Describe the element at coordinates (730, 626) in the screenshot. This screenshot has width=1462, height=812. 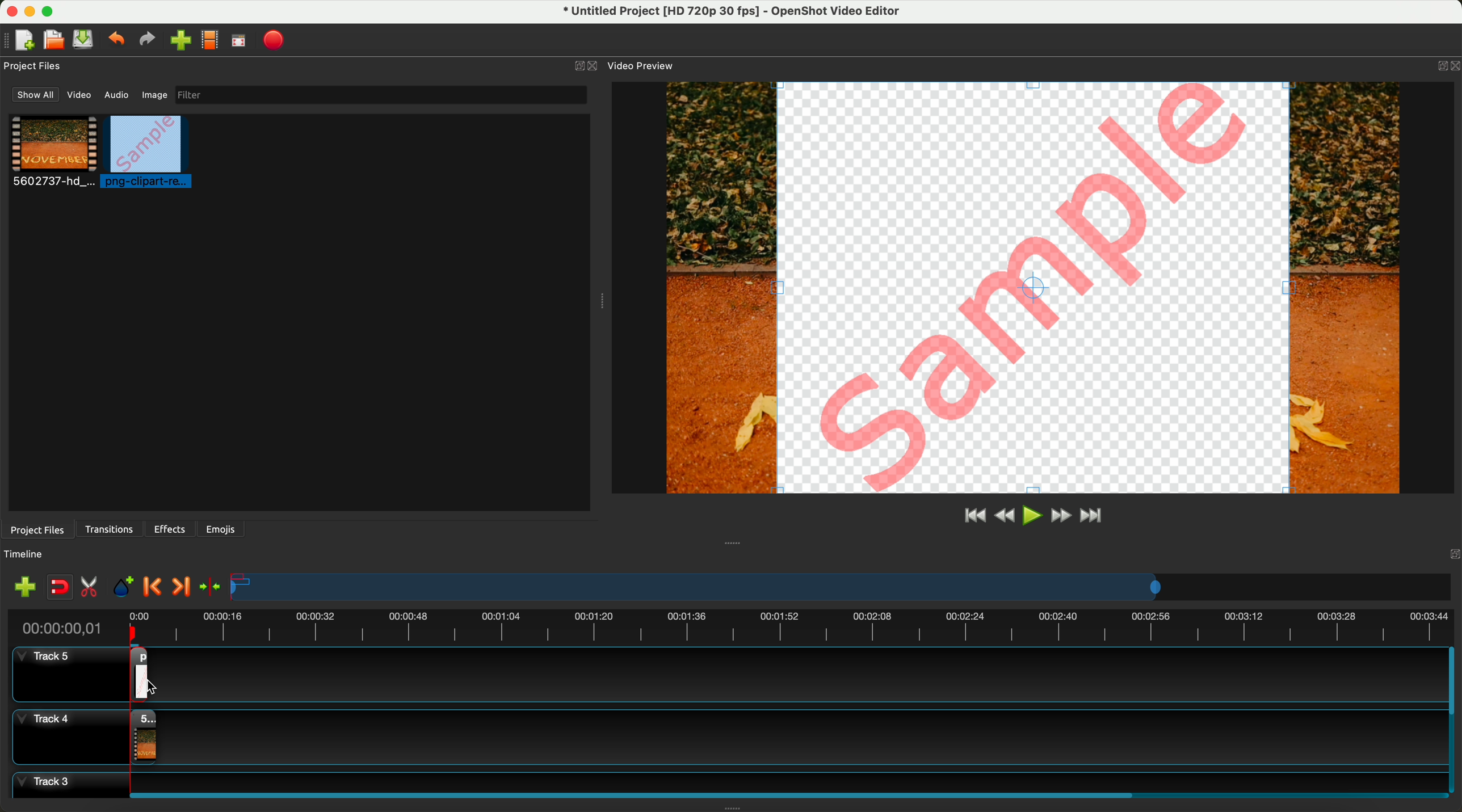
I see `timeline` at that location.